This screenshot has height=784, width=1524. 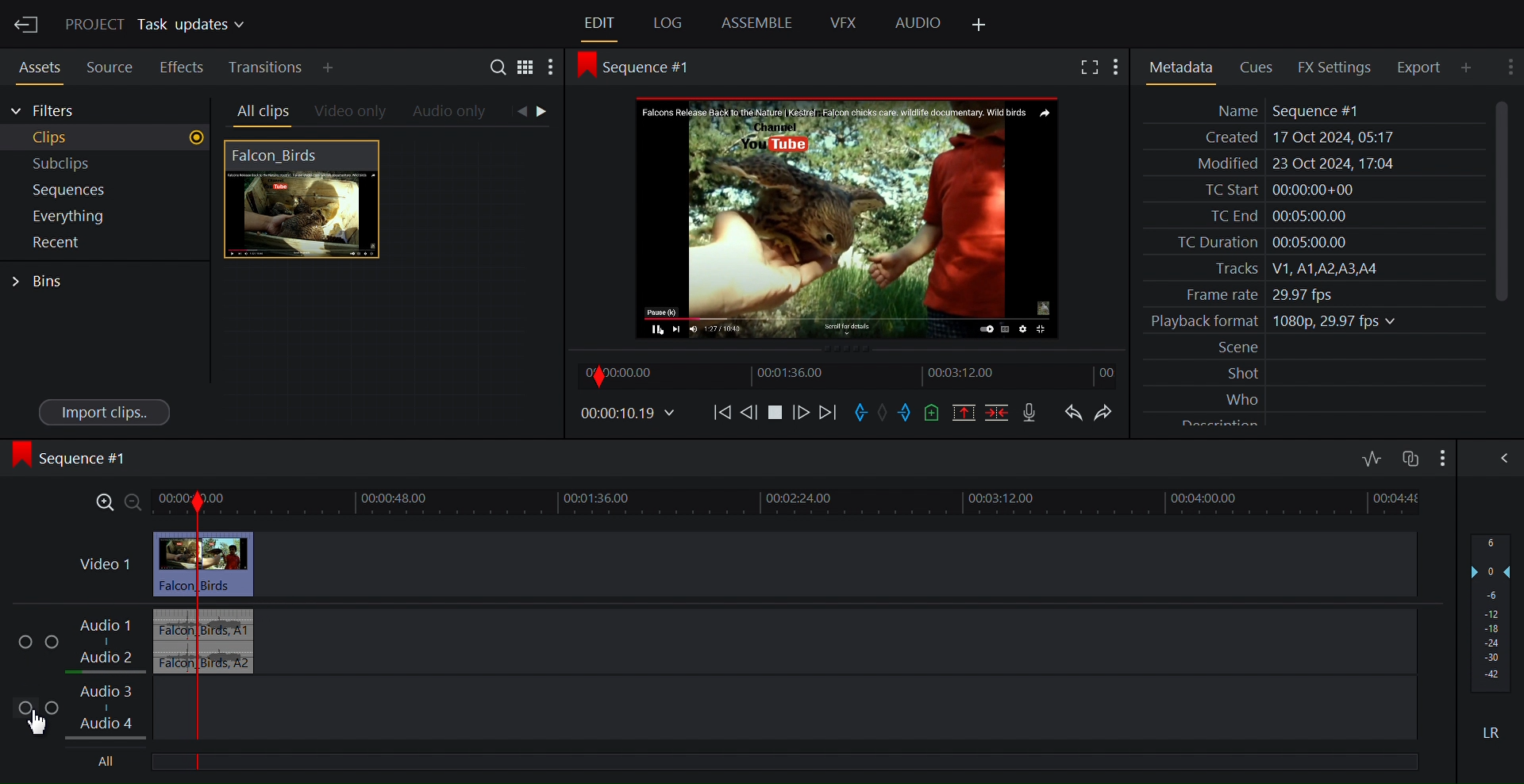 I want to click on Assemble, so click(x=758, y=22).